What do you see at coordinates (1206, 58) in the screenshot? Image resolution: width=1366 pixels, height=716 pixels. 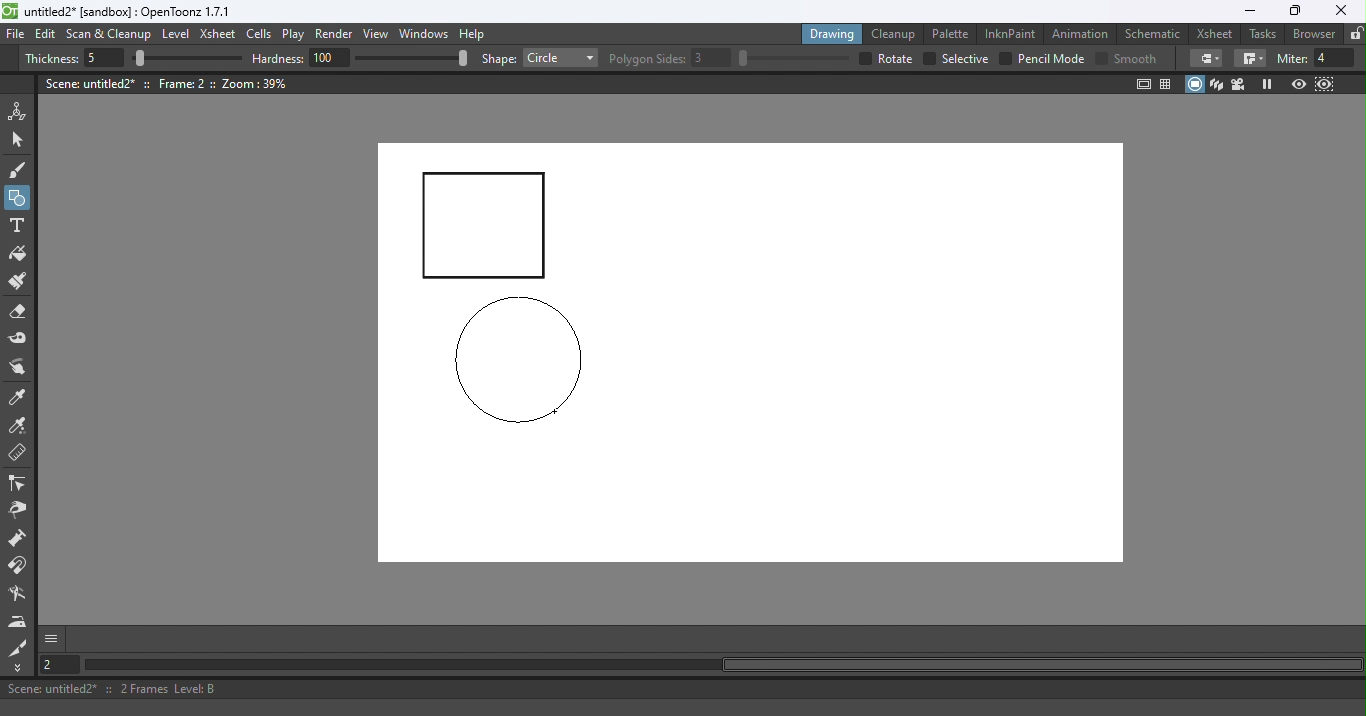 I see `Border corners` at bounding box center [1206, 58].